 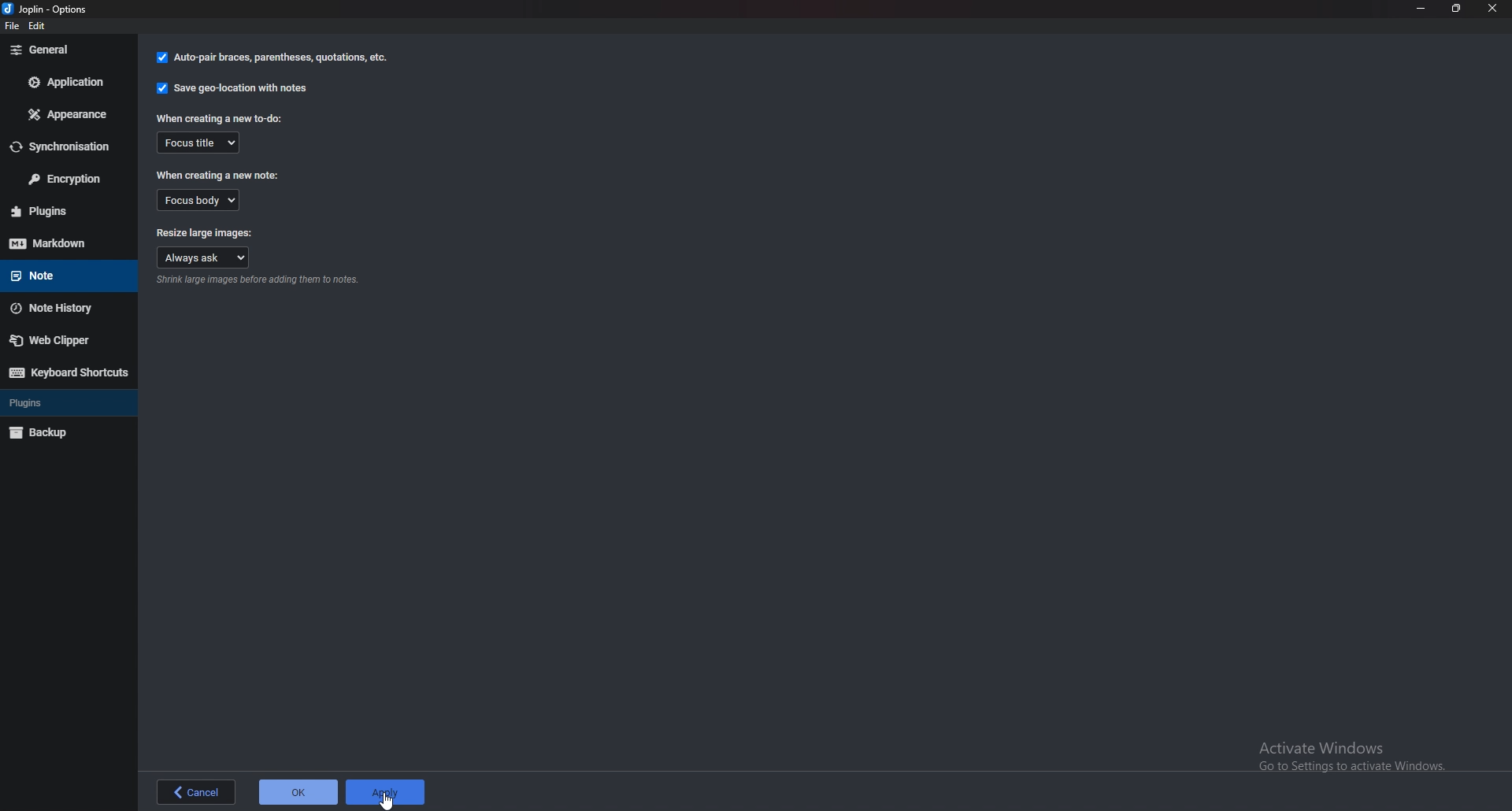 I want to click on plugins, so click(x=67, y=210).